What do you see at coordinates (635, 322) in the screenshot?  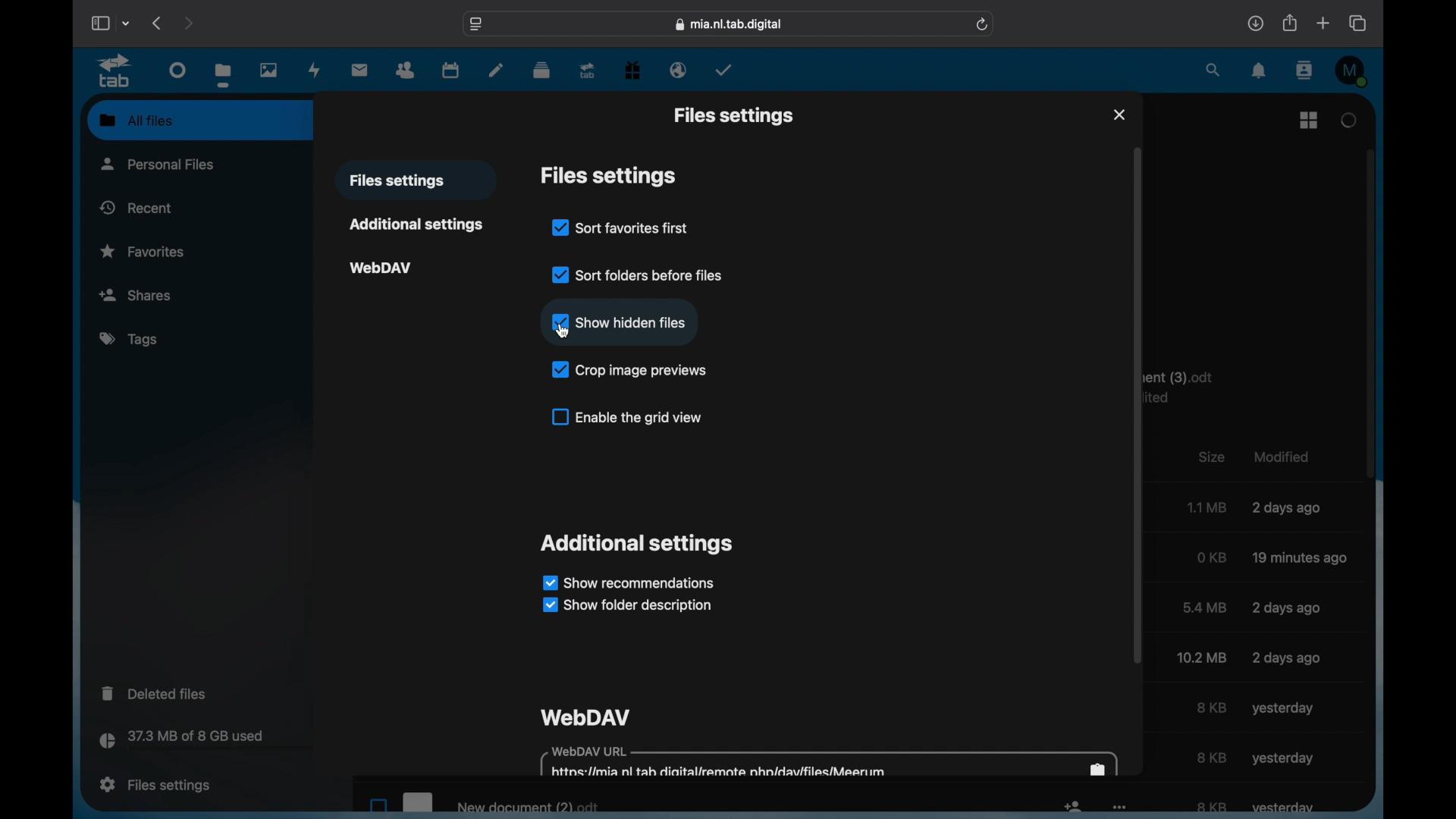 I see `show hidden files` at bounding box center [635, 322].